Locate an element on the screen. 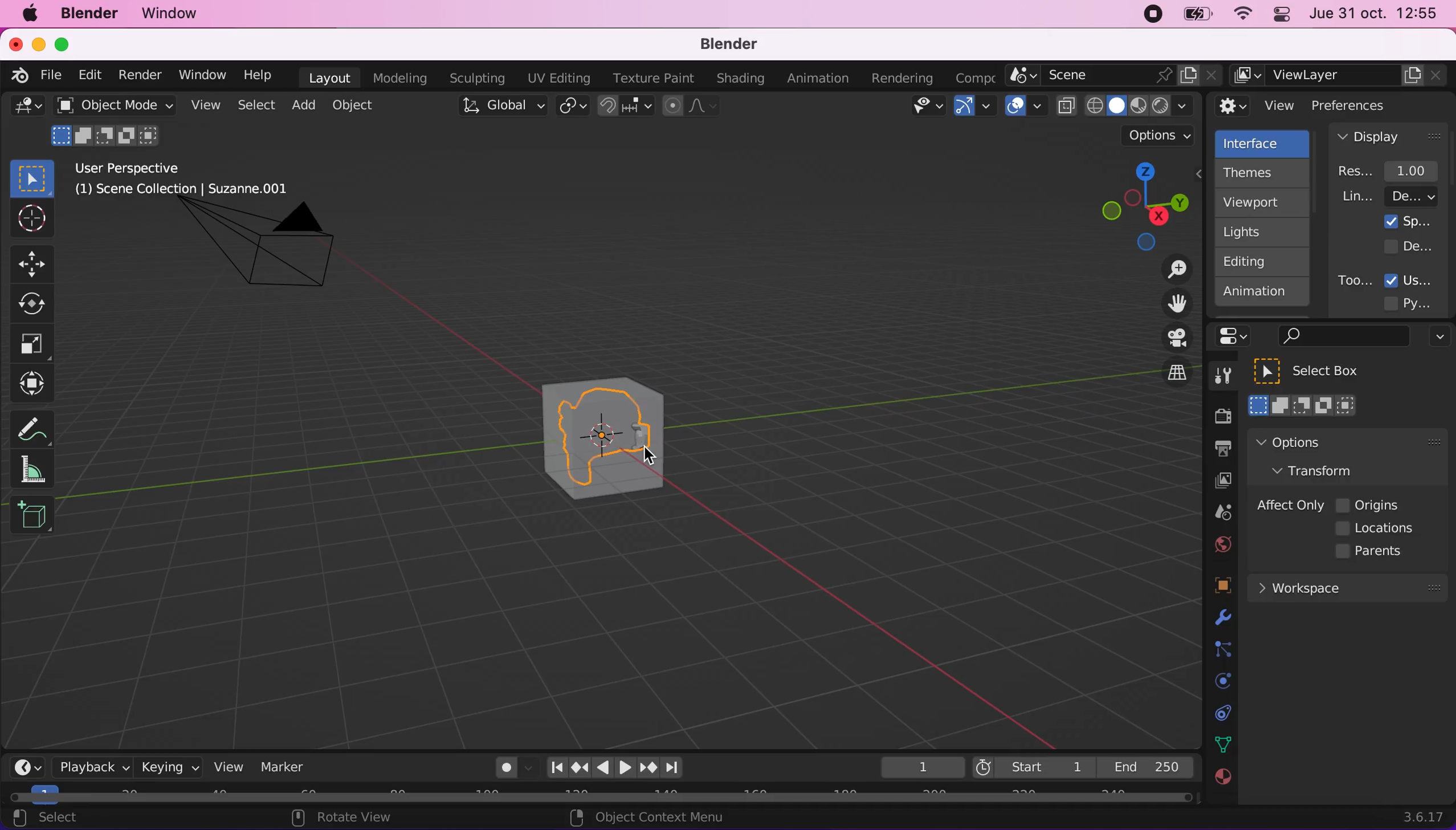 The height and width of the screenshot is (830, 1456). sculpting is located at coordinates (474, 78).